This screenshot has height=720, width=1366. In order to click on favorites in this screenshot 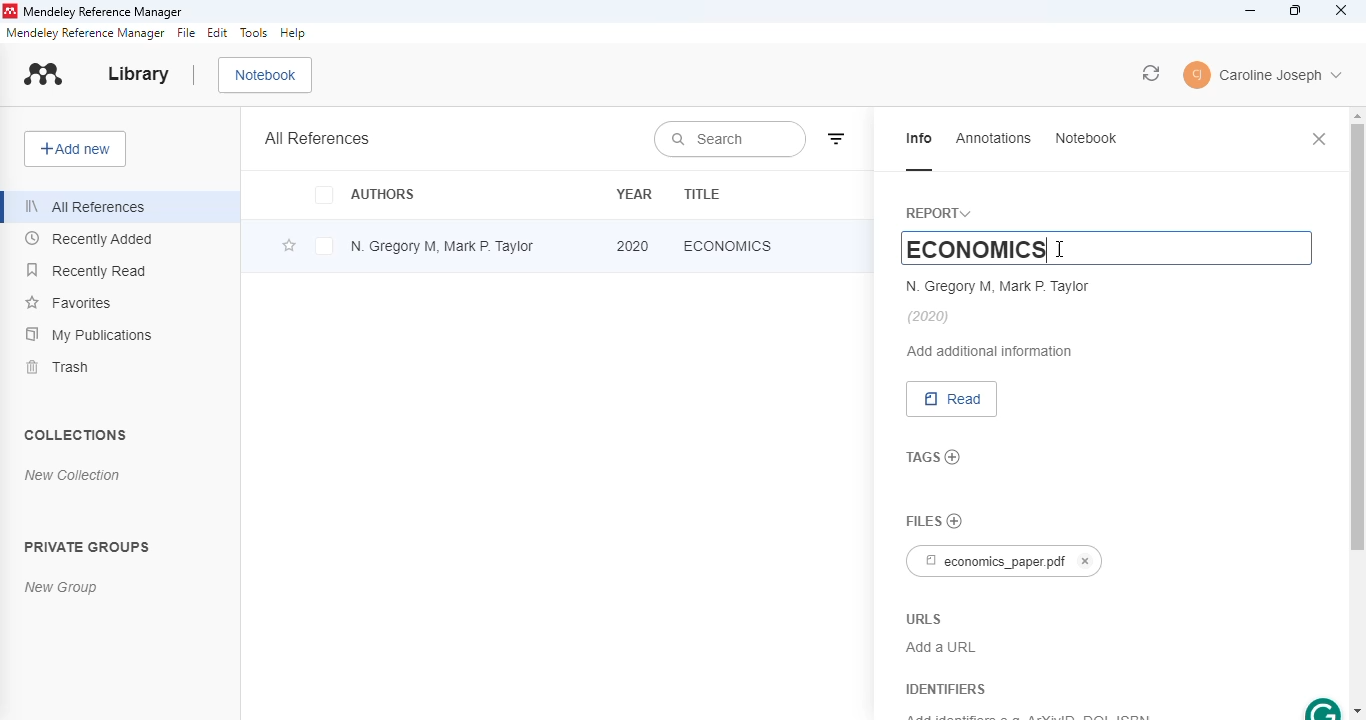, I will do `click(69, 302)`.